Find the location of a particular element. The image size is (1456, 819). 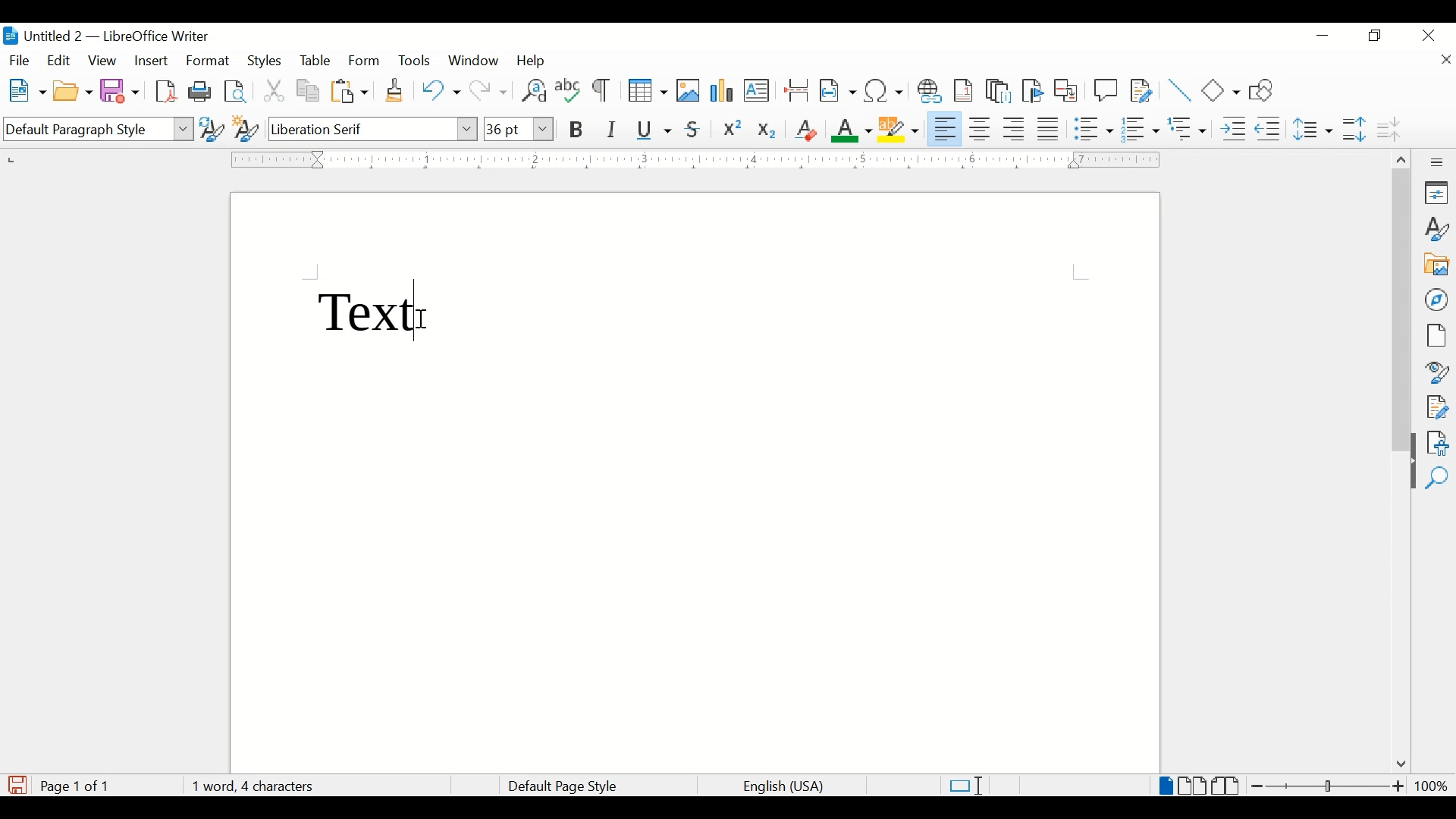

multi page view is located at coordinates (1194, 786).